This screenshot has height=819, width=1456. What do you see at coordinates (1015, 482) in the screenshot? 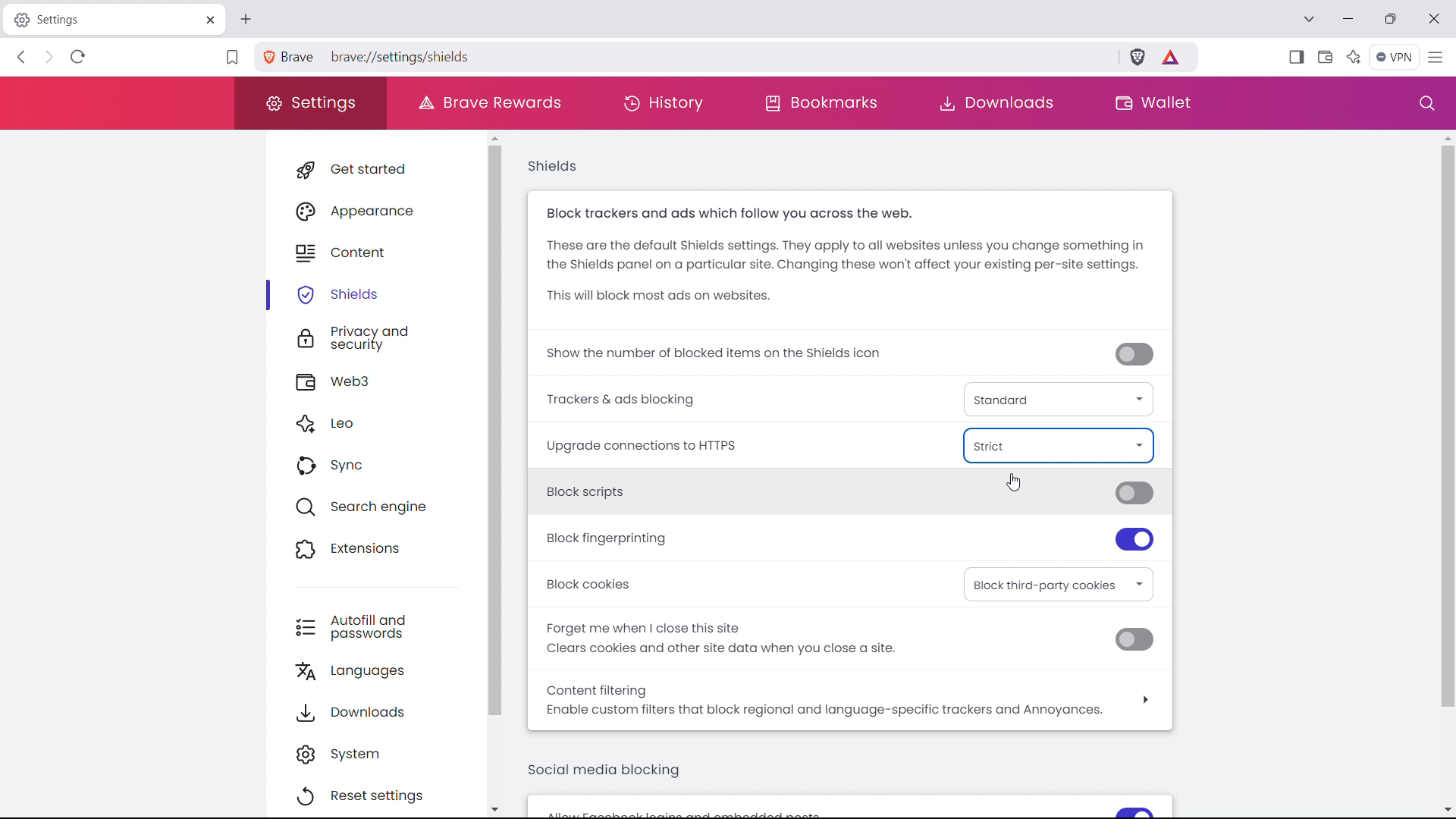
I see `cursor` at bounding box center [1015, 482].